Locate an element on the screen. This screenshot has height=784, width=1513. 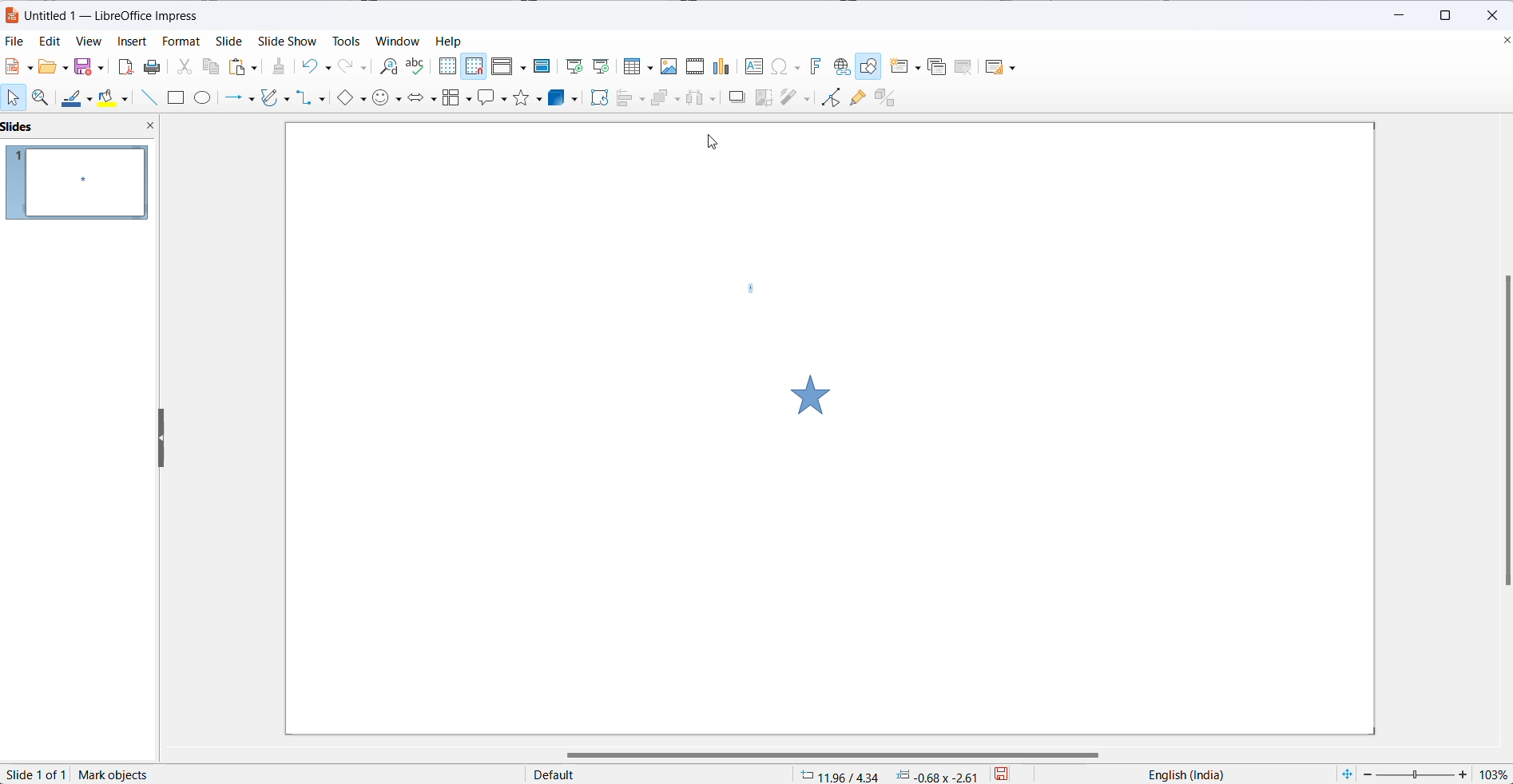
close document is located at coordinates (1503, 42).